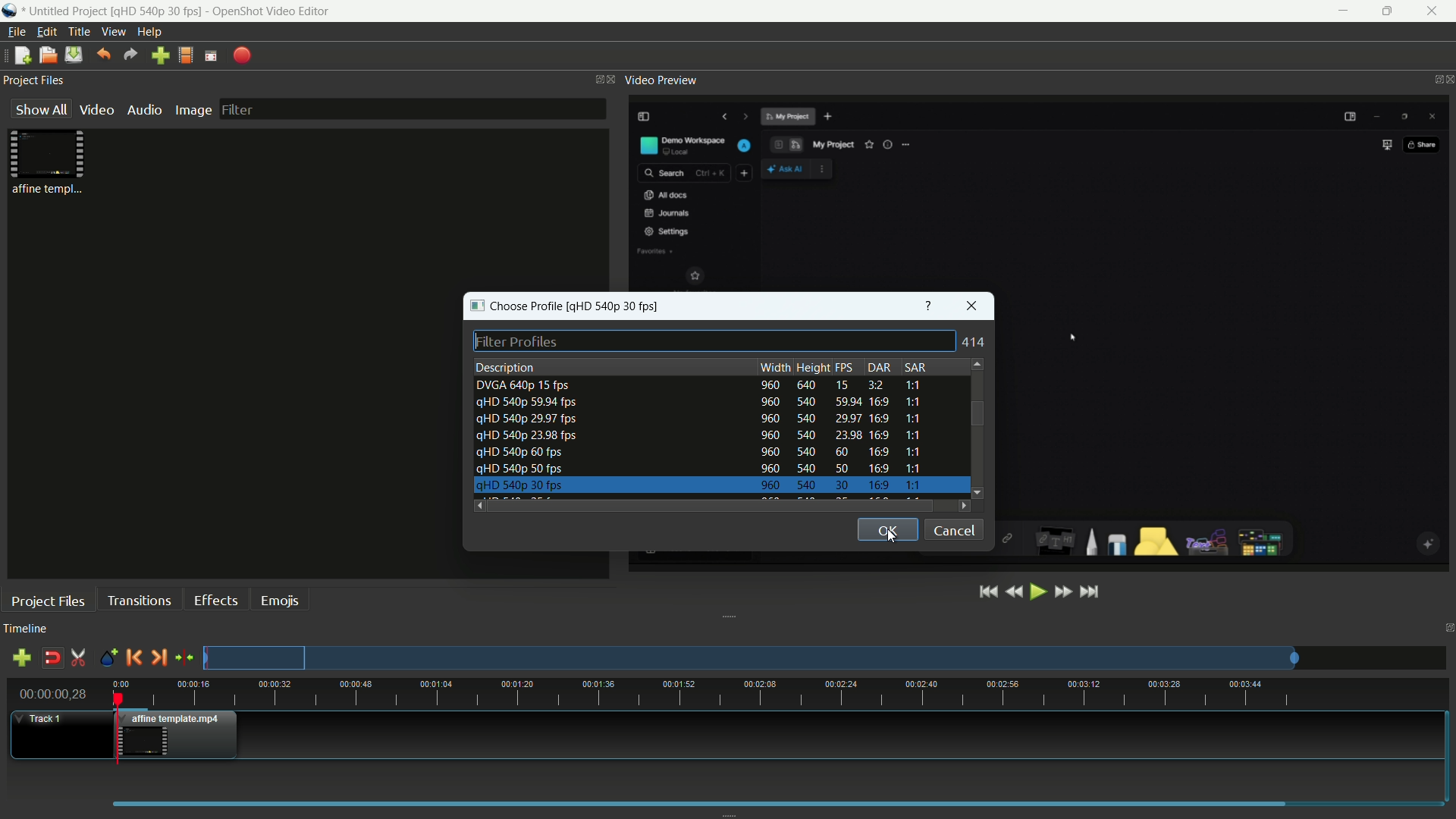  Describe the element at coordinates (506, 368) in the screenshot. I see `description` at that location.